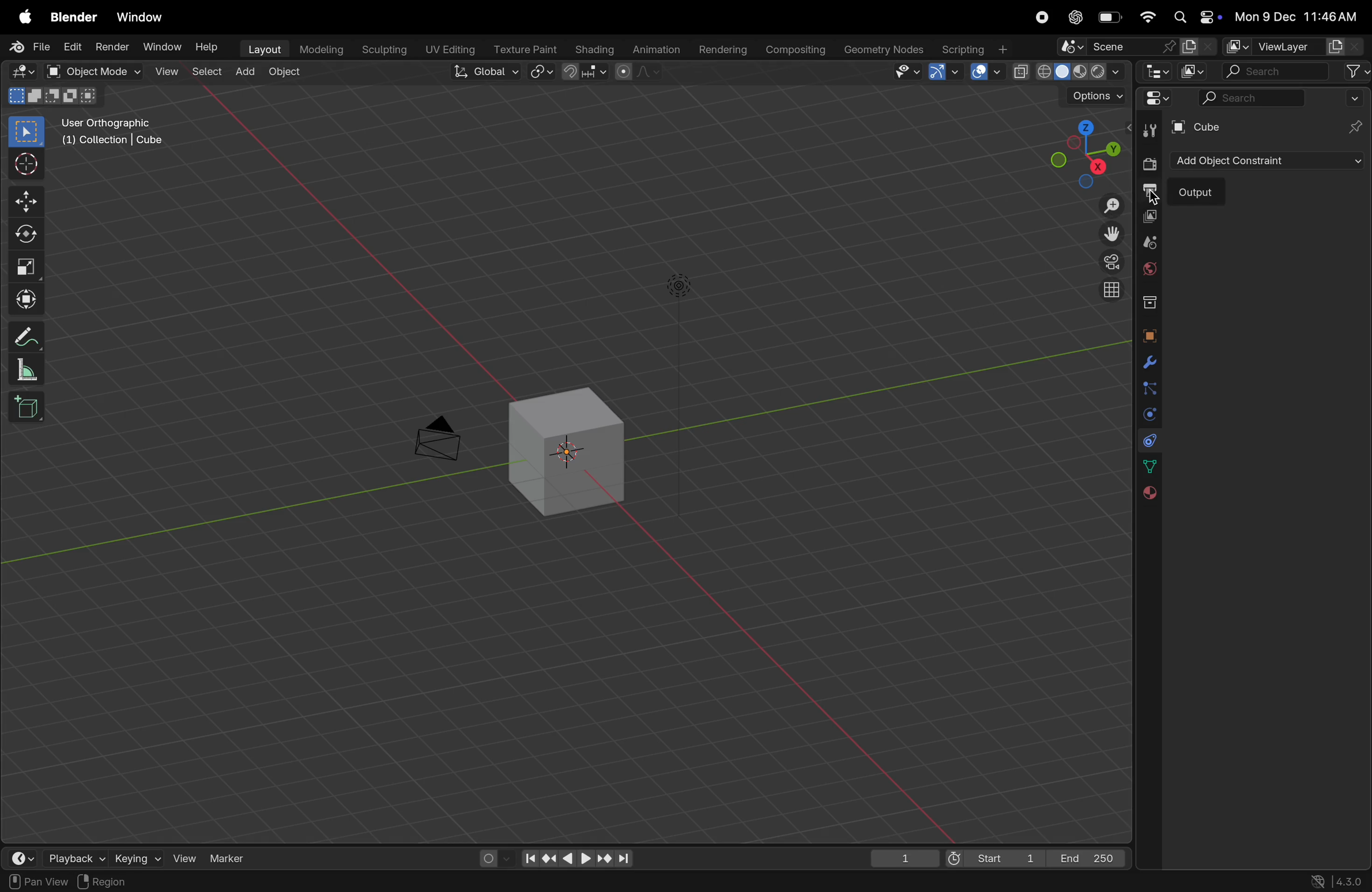  I want to click on start 1, so click(993, 857).